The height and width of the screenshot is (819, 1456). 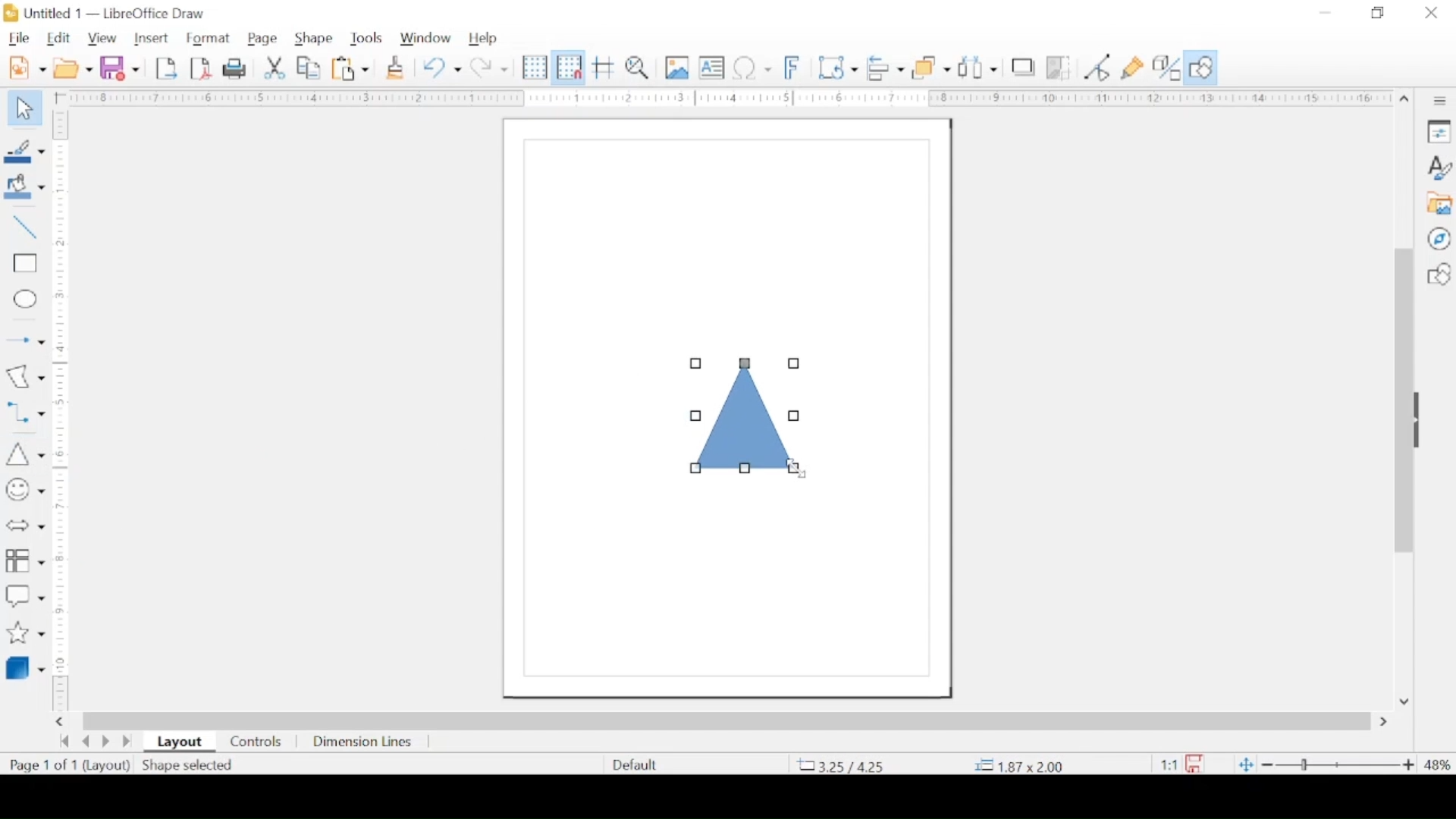 I want to click on dimension lines, so click(x=365, y=742).